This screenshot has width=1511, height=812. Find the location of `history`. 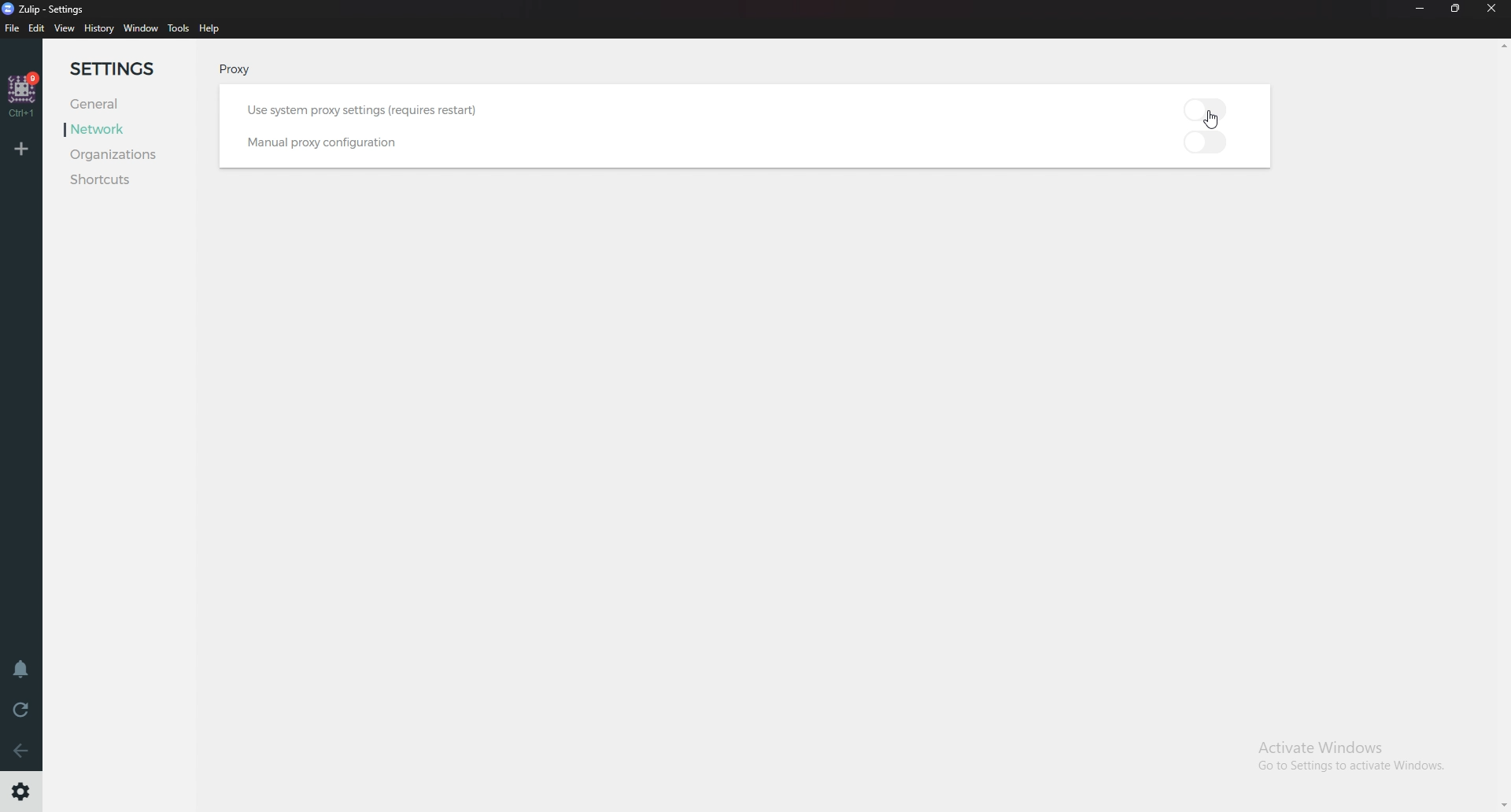

history is located at coordinates (98, 29).